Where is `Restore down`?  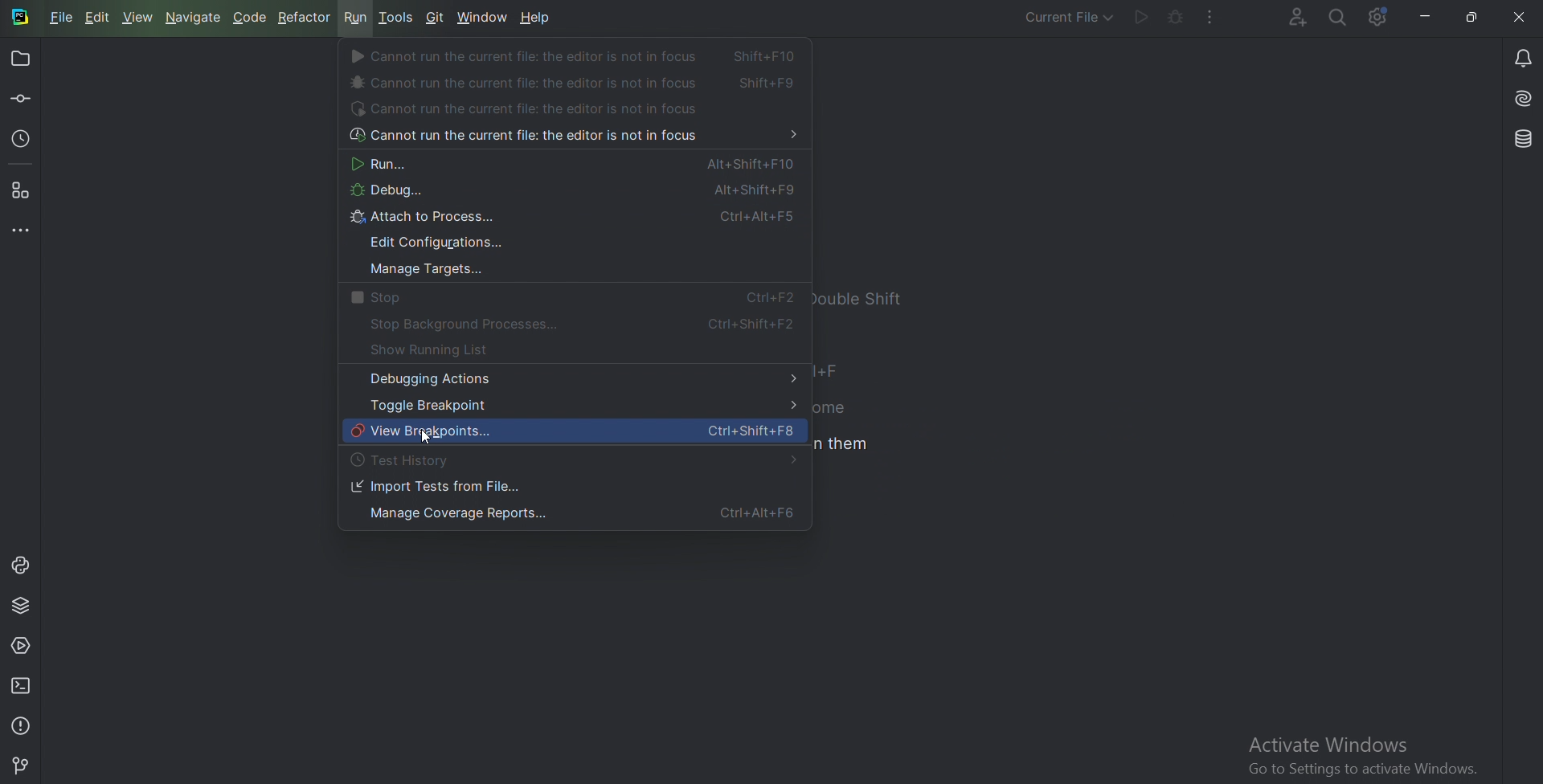
Restore down is located at coordinates (1471, 18).